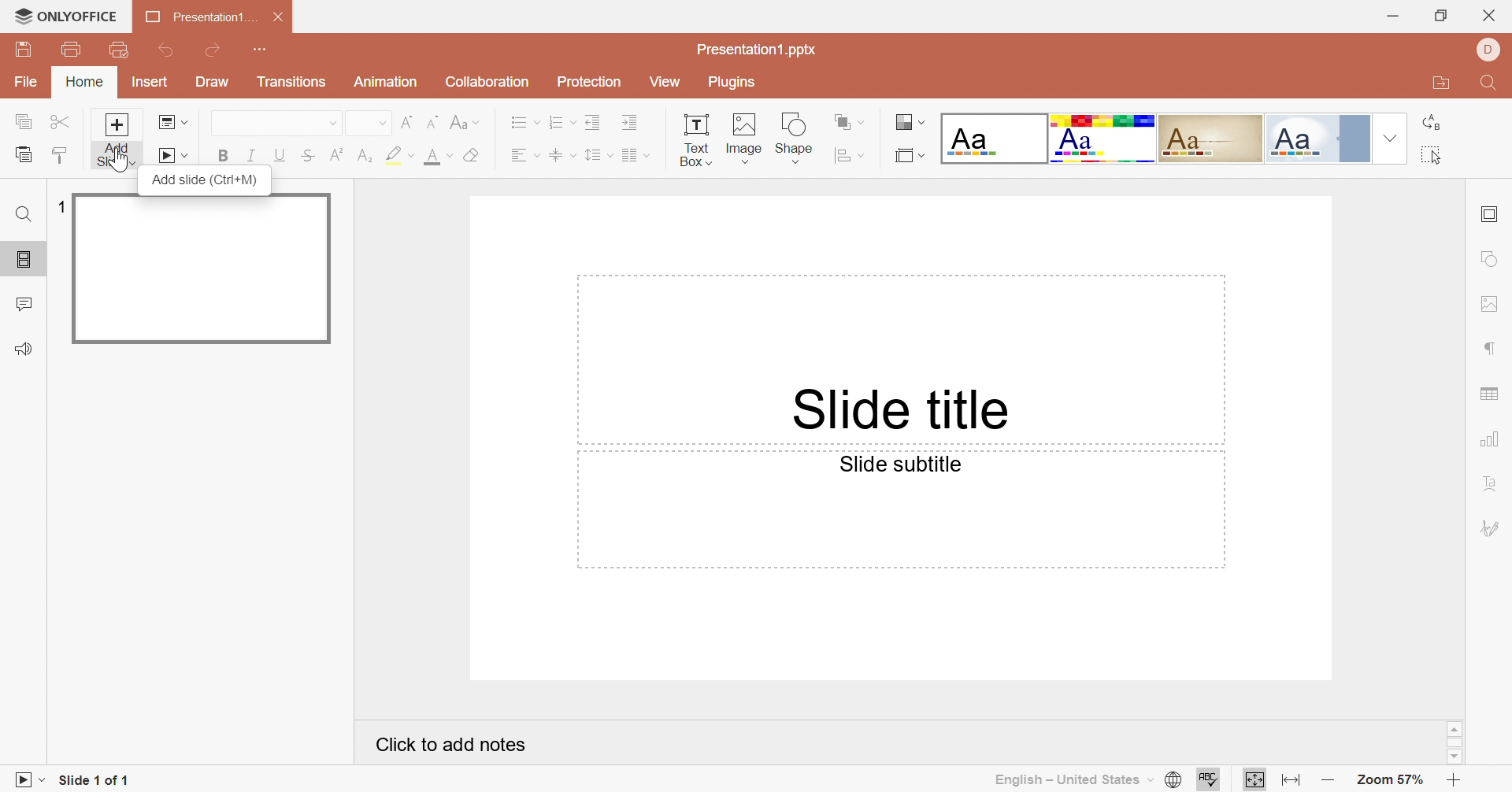  Describe the element at coordinates (489, 83) in the screenshot. I see `collaboration` at that location.